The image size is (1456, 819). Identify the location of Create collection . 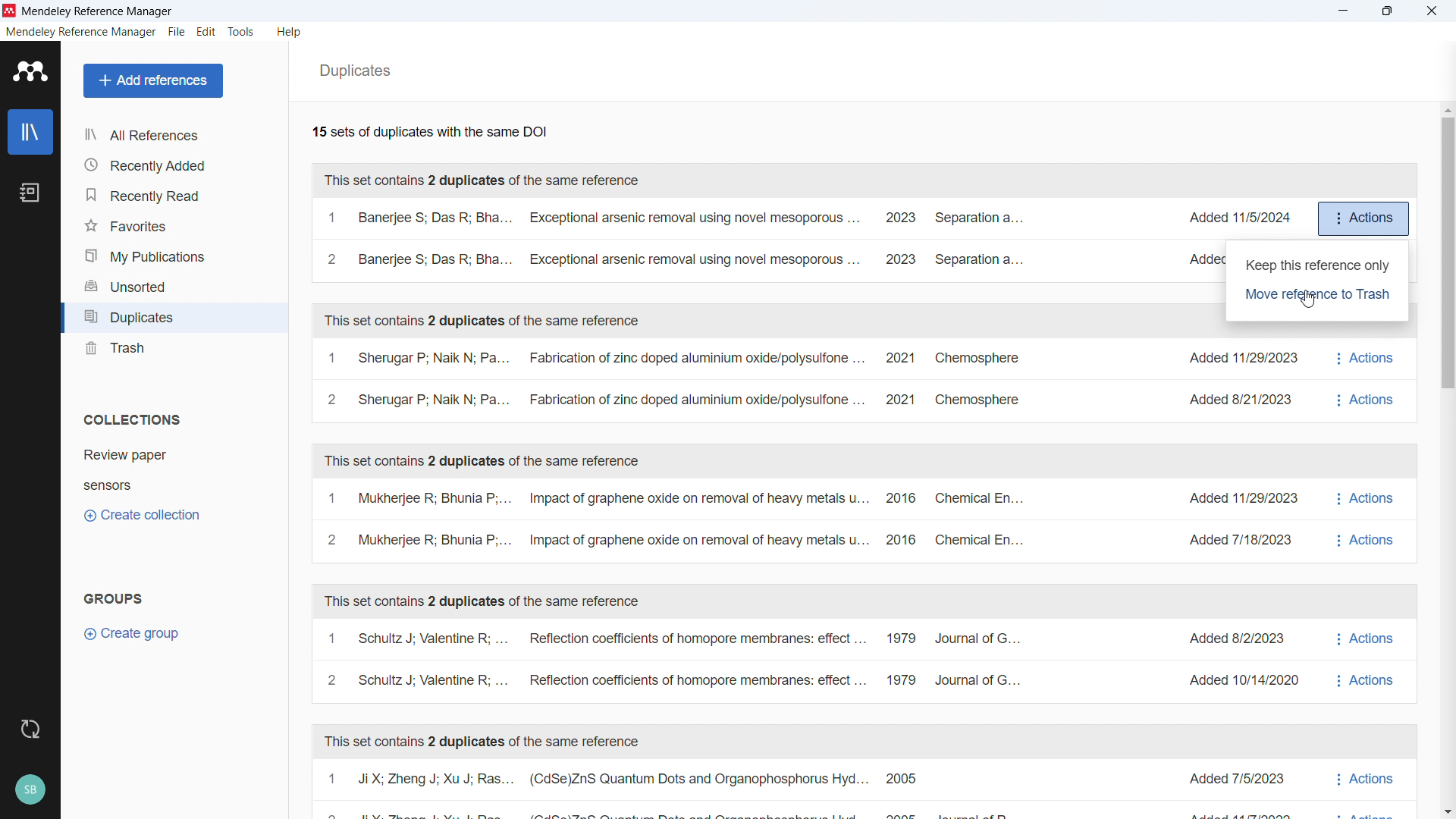
(143, 516).